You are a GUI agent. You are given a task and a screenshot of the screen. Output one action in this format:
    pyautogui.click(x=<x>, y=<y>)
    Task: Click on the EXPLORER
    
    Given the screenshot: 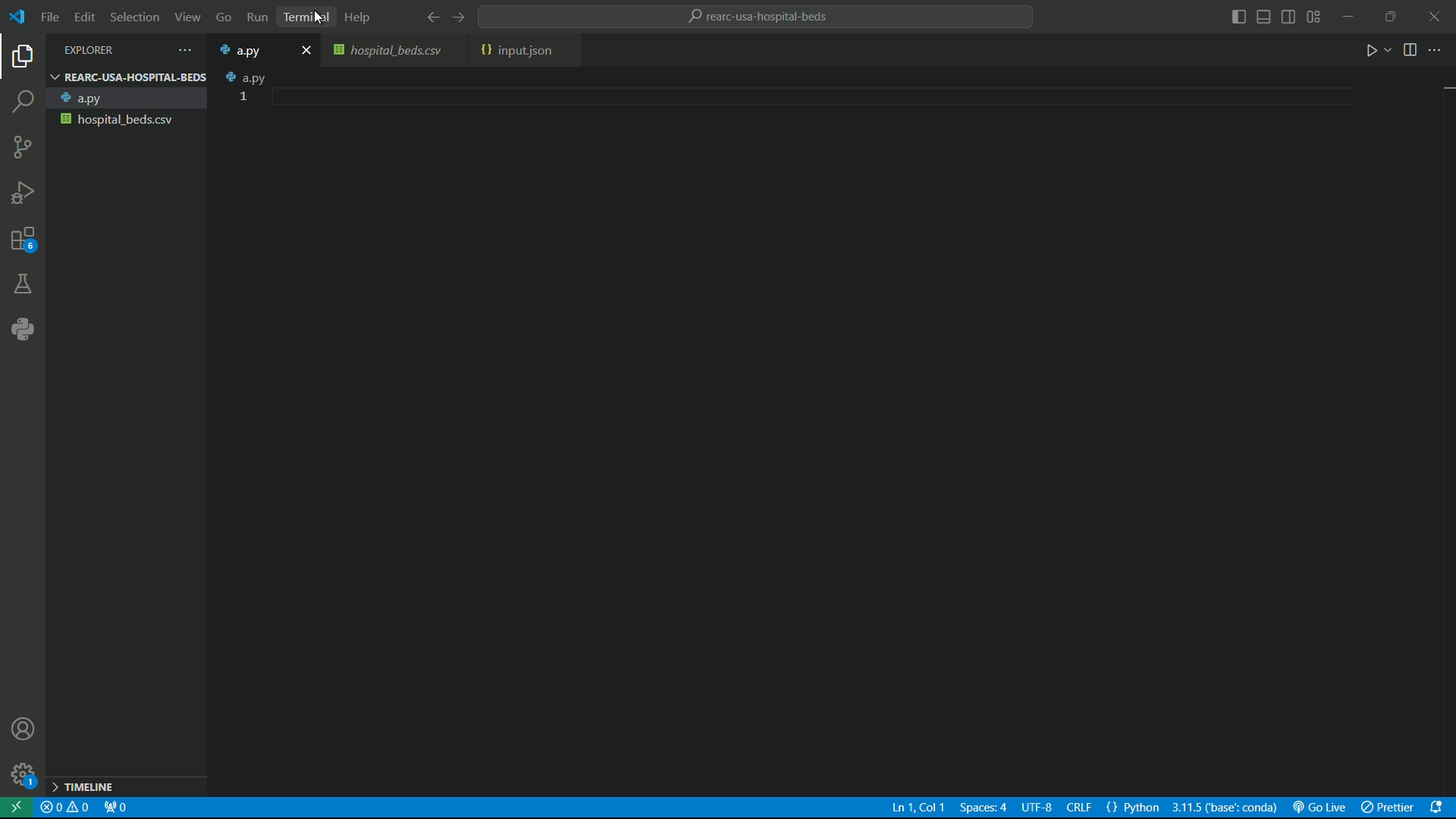 What is the action you would take?
    pyautogui.click(x=115, y=49)
    